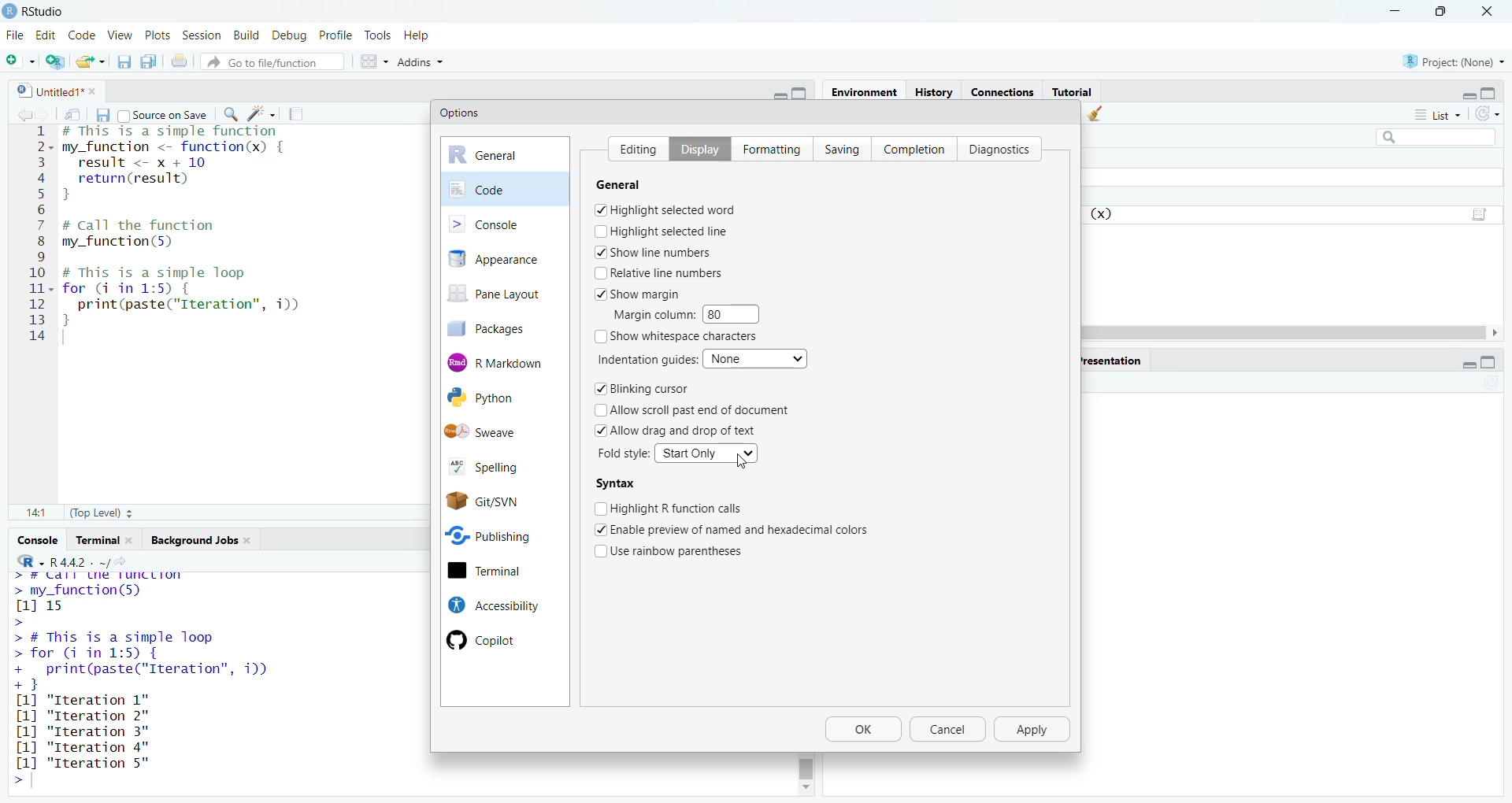 The height and width of the screenshot is (803, 1512). What do you see at coordinates (666, 209) in the screenshot?
I see `highlight selected word` at bounding box center [666, 209].